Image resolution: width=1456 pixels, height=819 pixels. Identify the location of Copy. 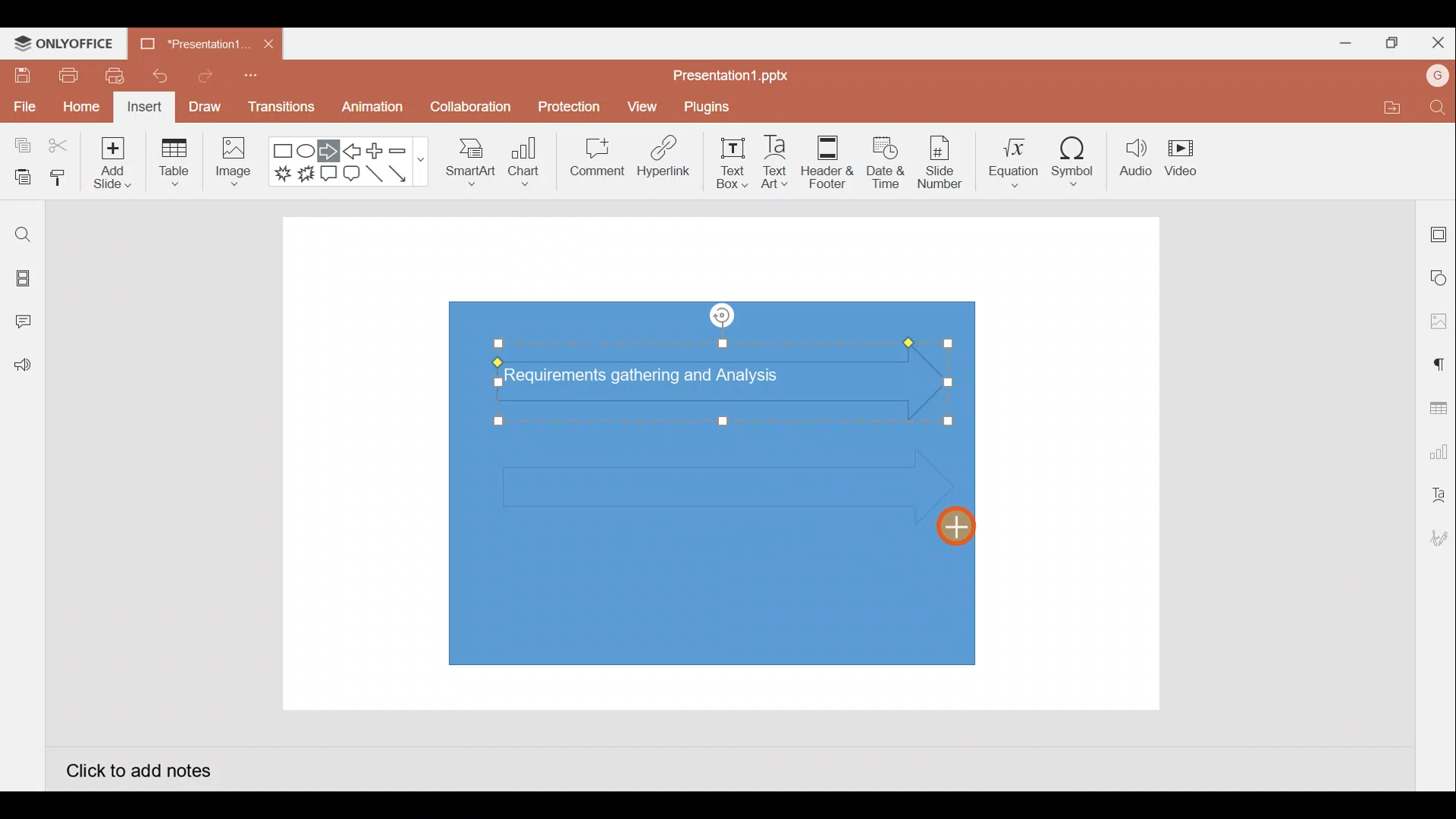
(20, 146).